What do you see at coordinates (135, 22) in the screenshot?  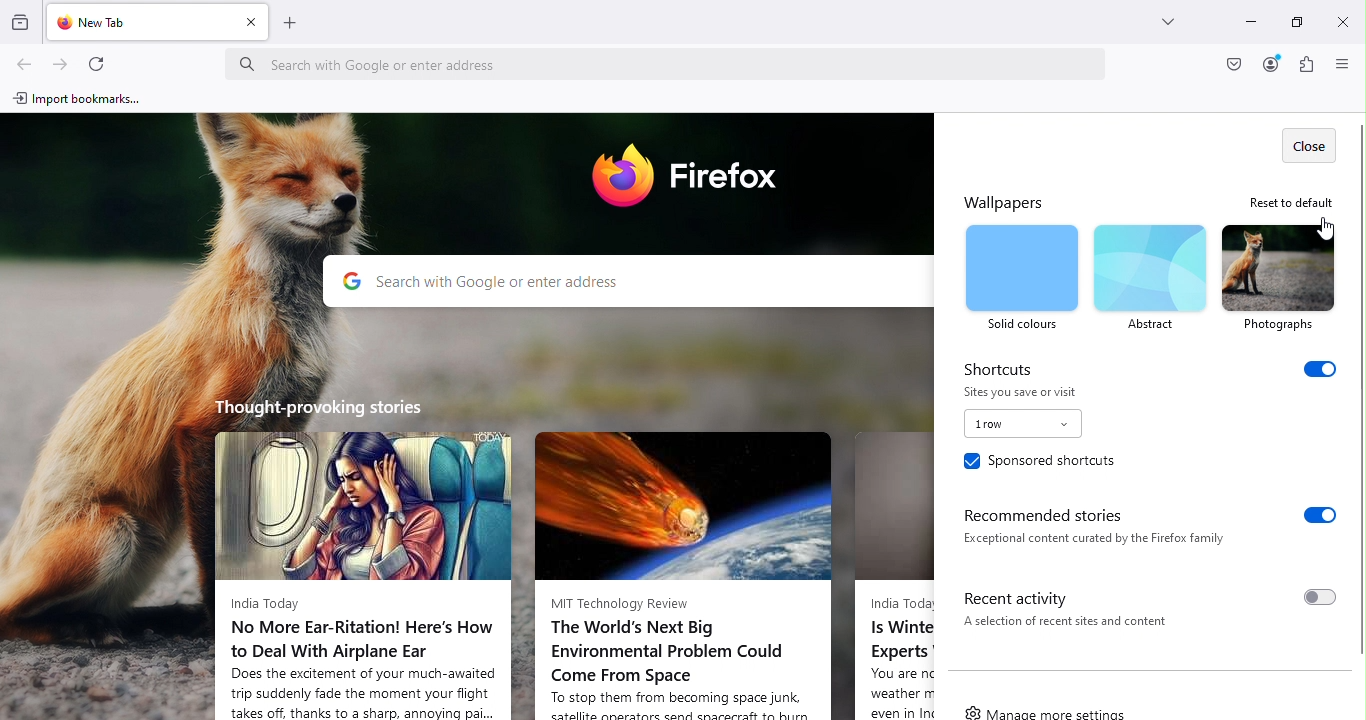 I see `New tab` at bounding box center [135, 22].